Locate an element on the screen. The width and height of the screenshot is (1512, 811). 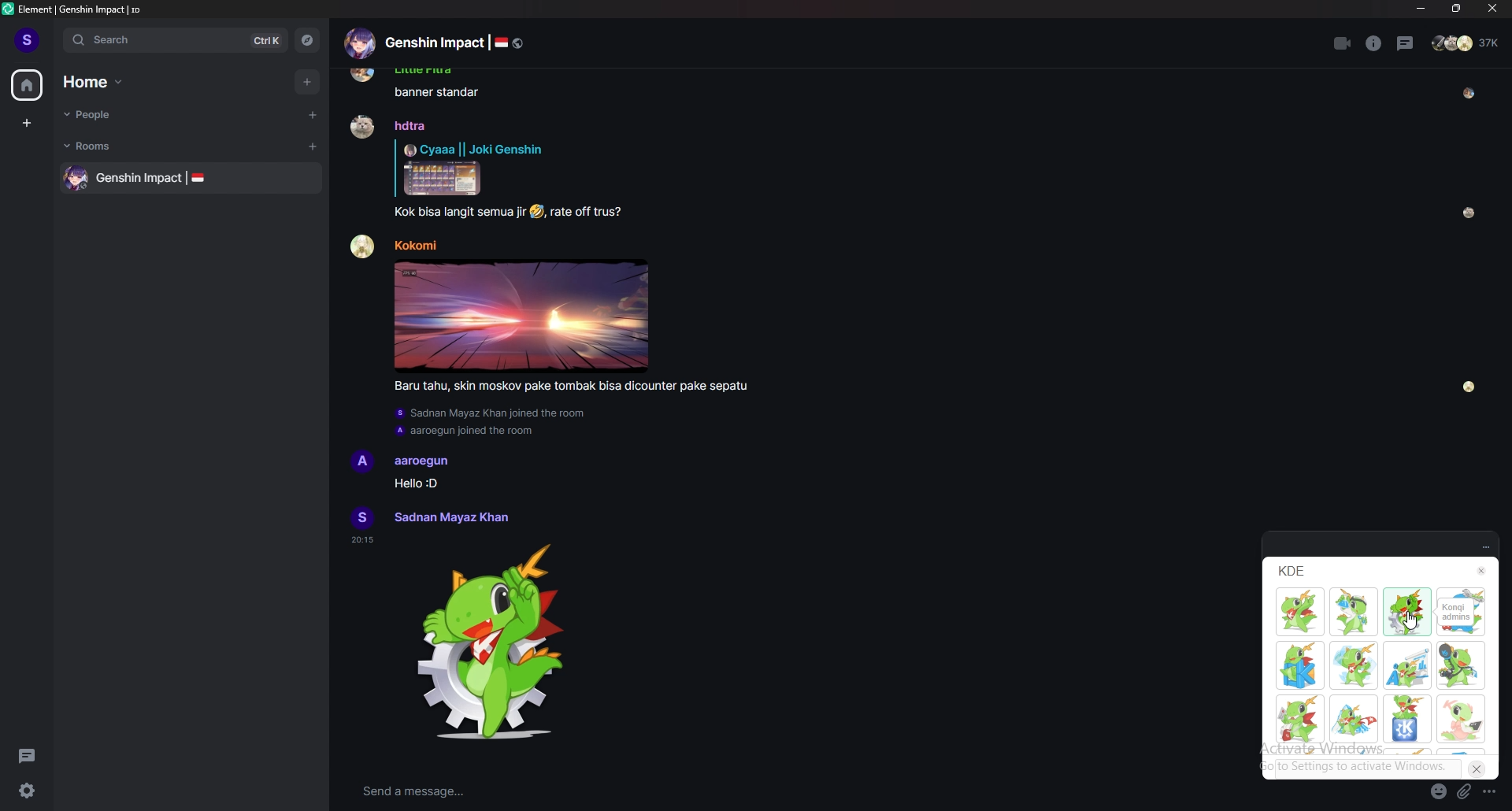
Sadnan Mayaz Khan is located at coordinates (450, 517).